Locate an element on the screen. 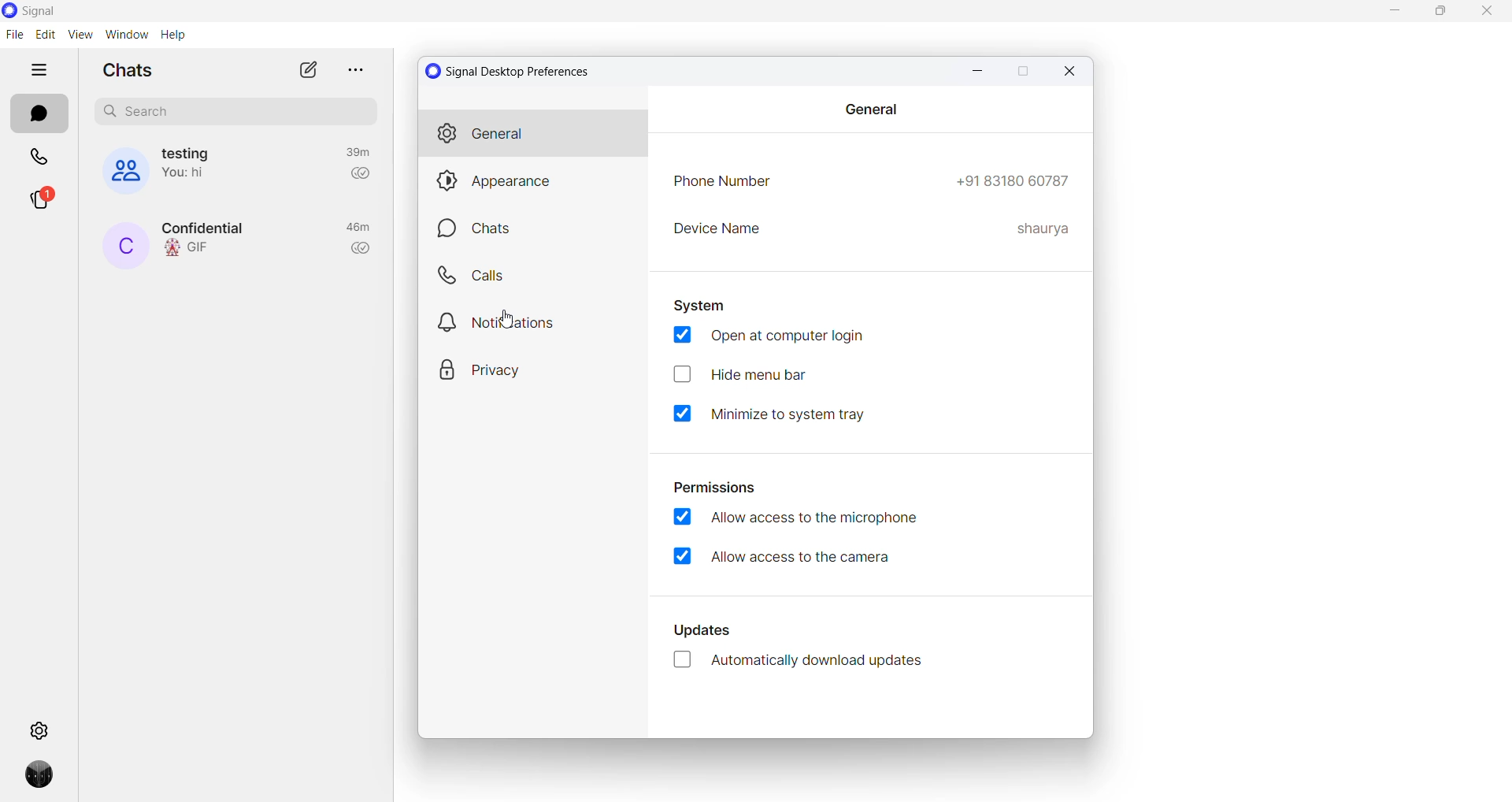 The height and width of the screenshot is (802, 1512). edit is located at coordinates (44, 35).